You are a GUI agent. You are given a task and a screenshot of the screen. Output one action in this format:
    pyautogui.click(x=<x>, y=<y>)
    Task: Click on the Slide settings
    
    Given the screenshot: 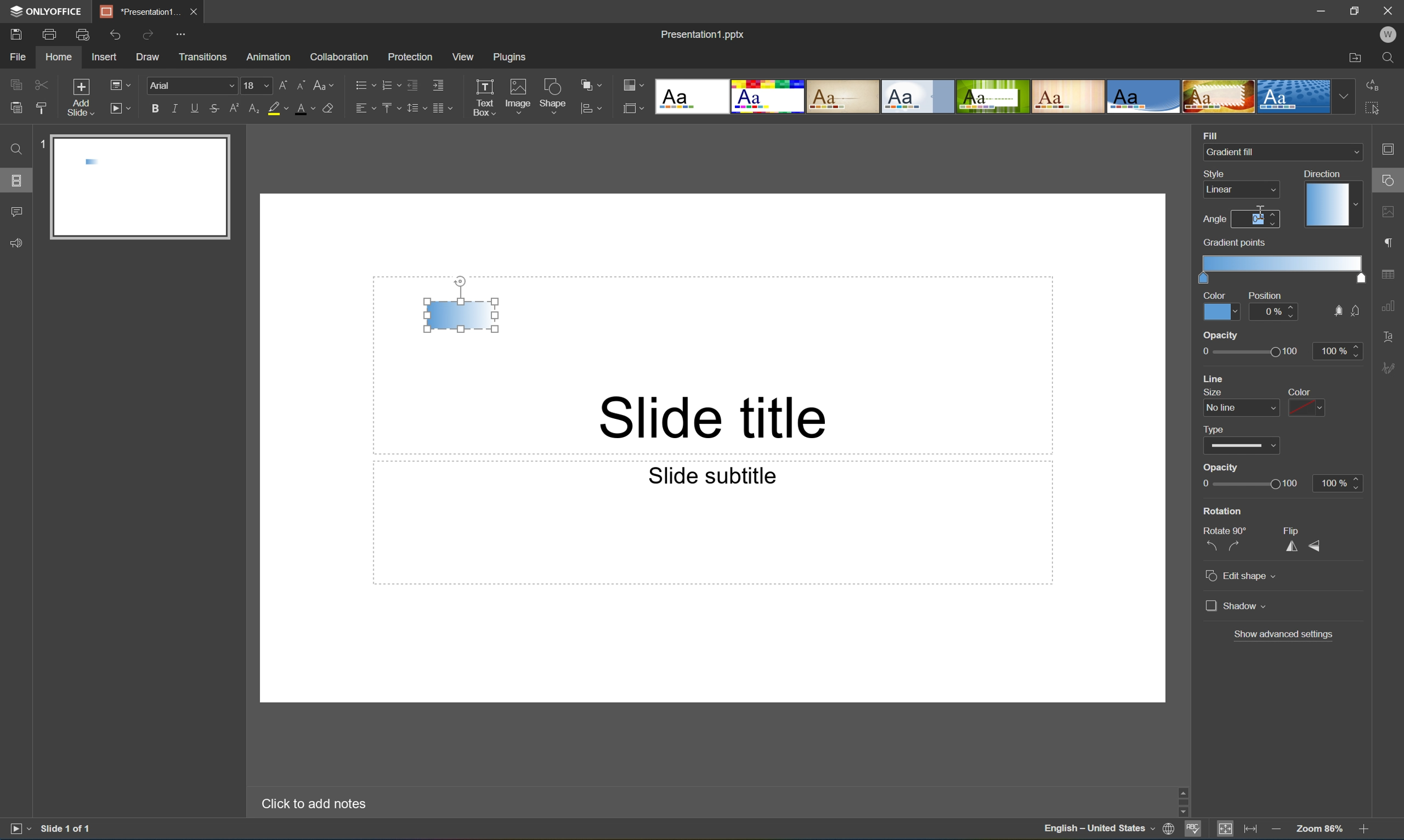 What is the action you would take?
    pyautogui.click(x=1392, y=149)
    